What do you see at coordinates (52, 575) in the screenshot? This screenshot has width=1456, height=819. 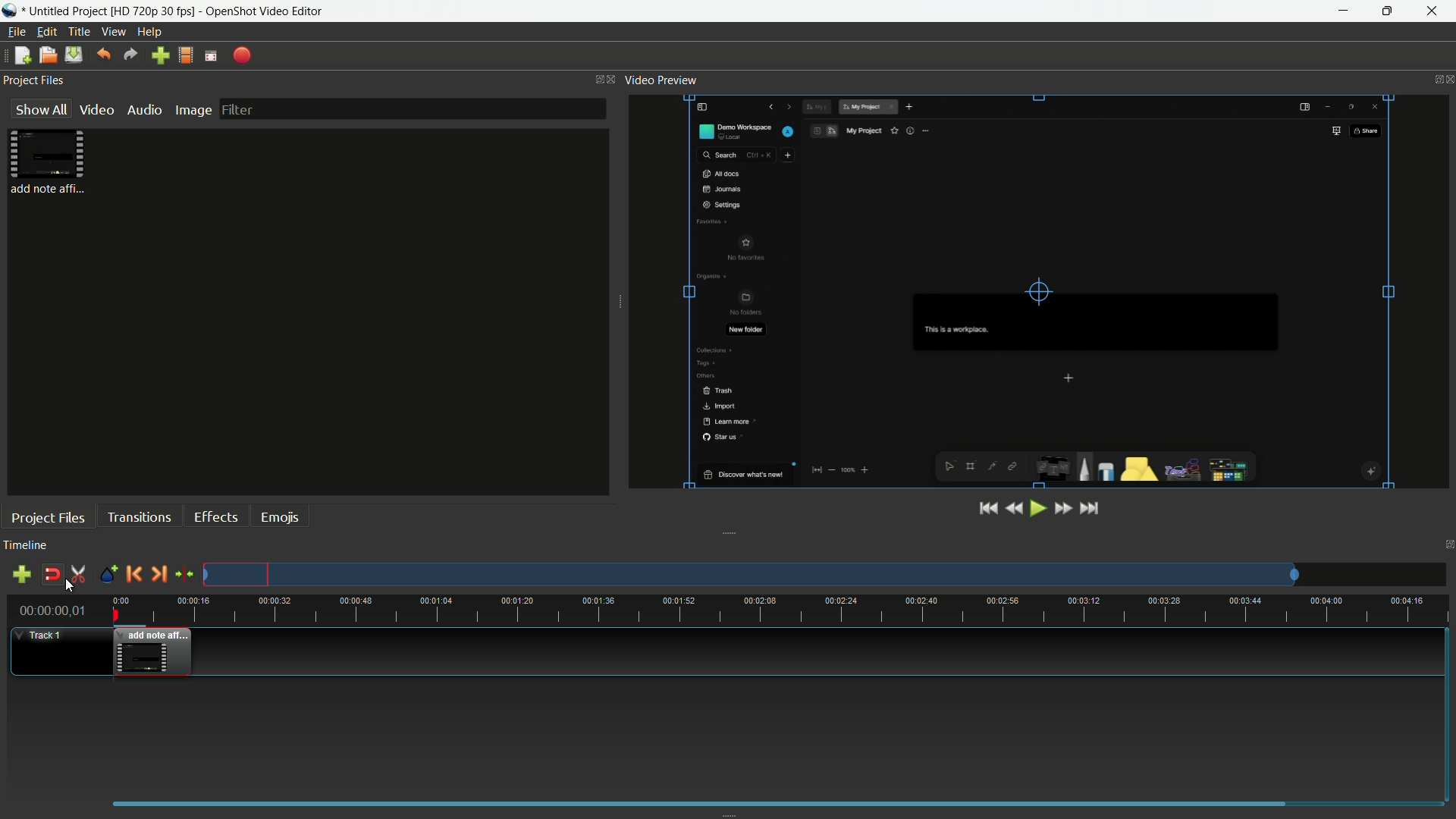 I see `disable snap` at bounding box center [52, 575].